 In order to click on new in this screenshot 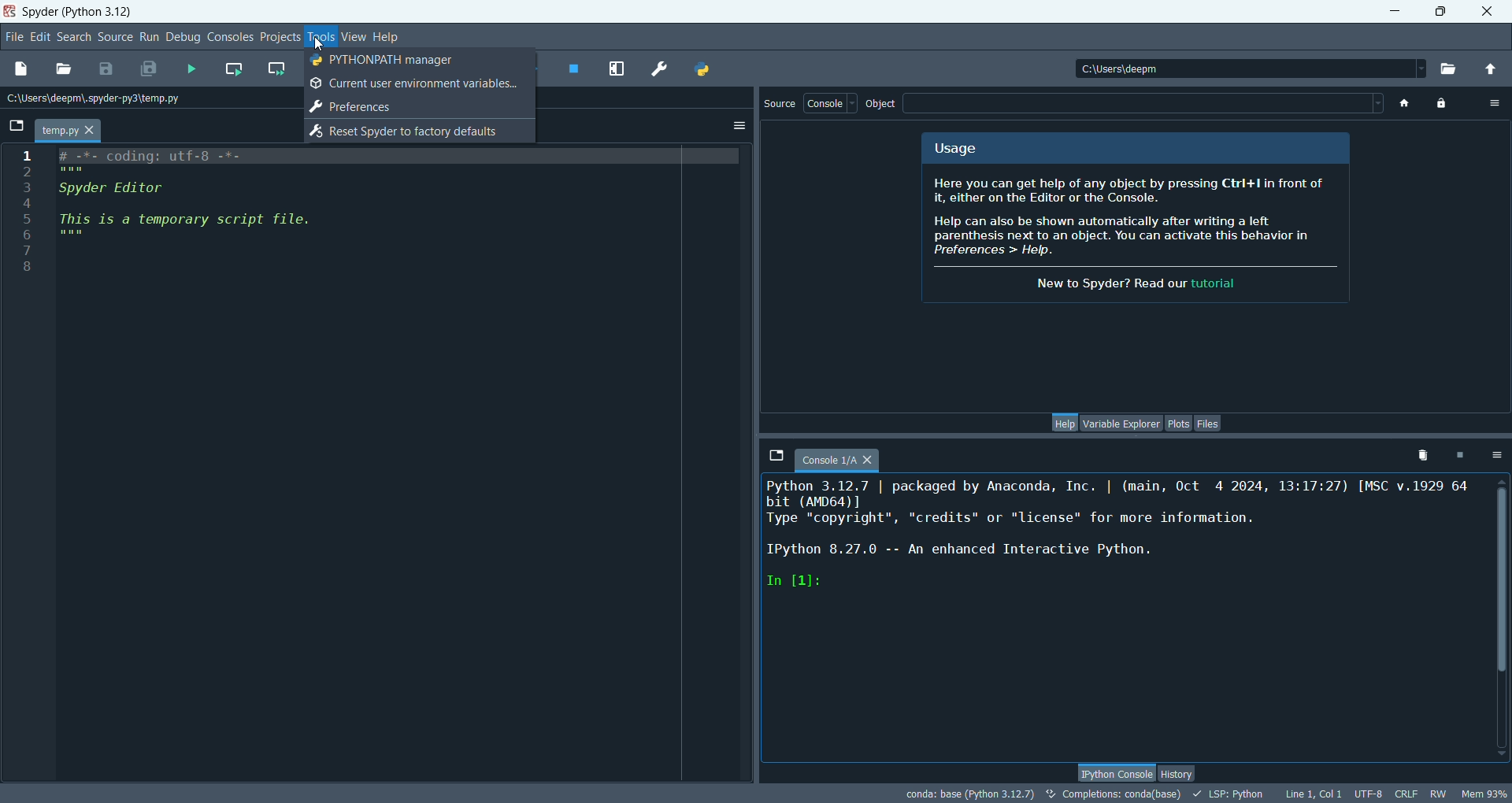, I will do `click(20, 69)`.